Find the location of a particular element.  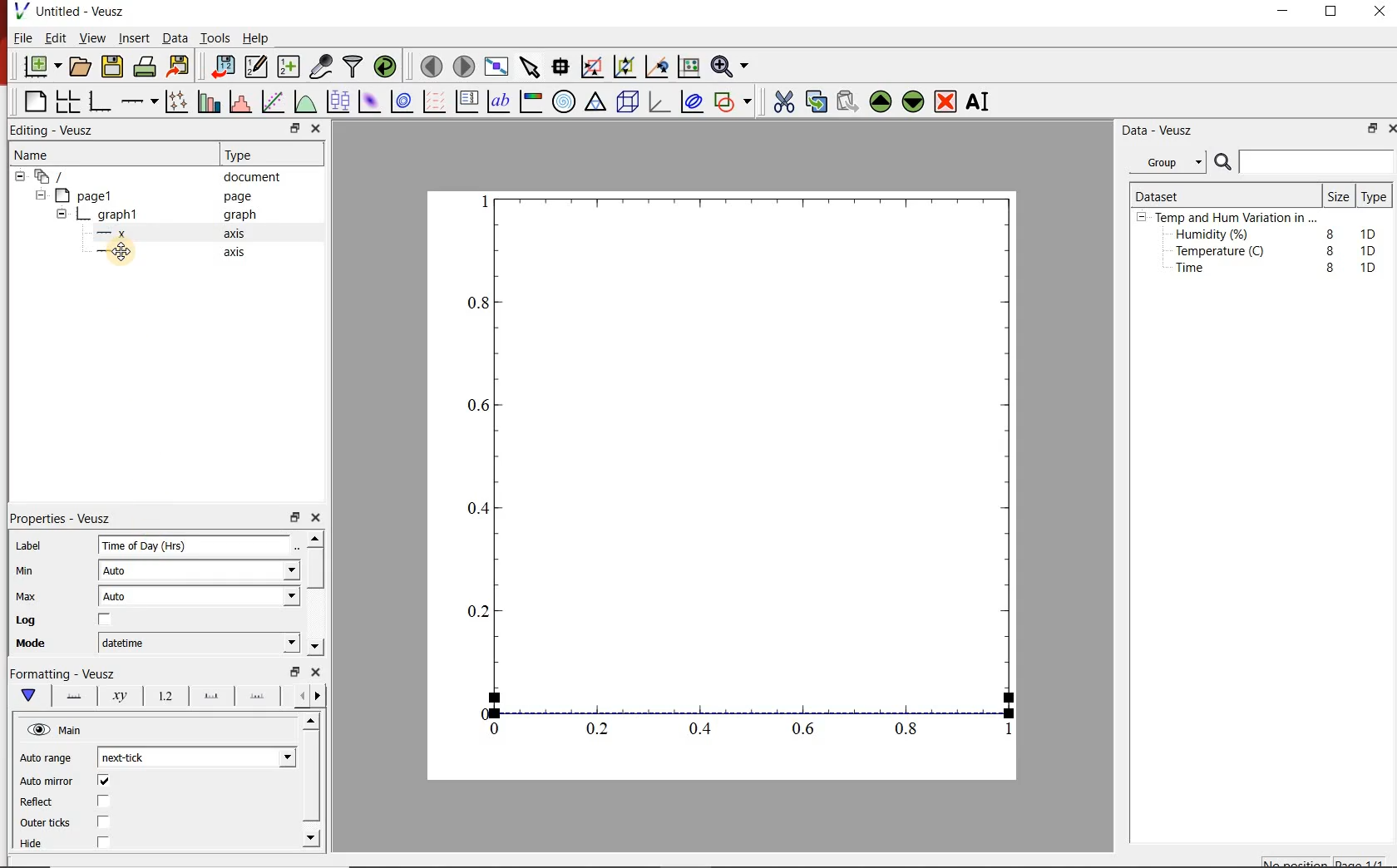

Humidity (%) is located at coordinates (1216, 235).